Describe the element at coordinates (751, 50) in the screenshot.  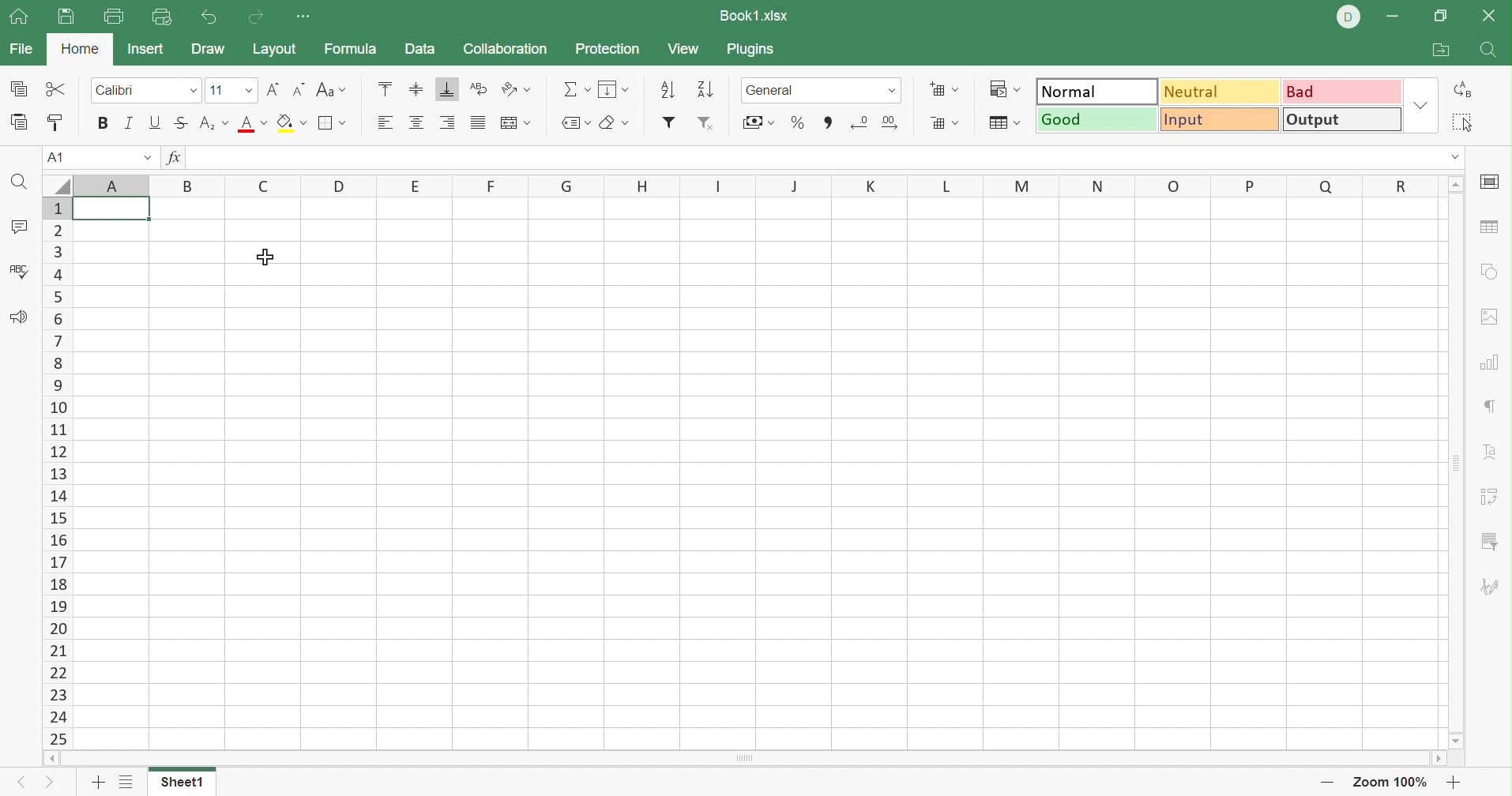
I see `Plugins` at that location.